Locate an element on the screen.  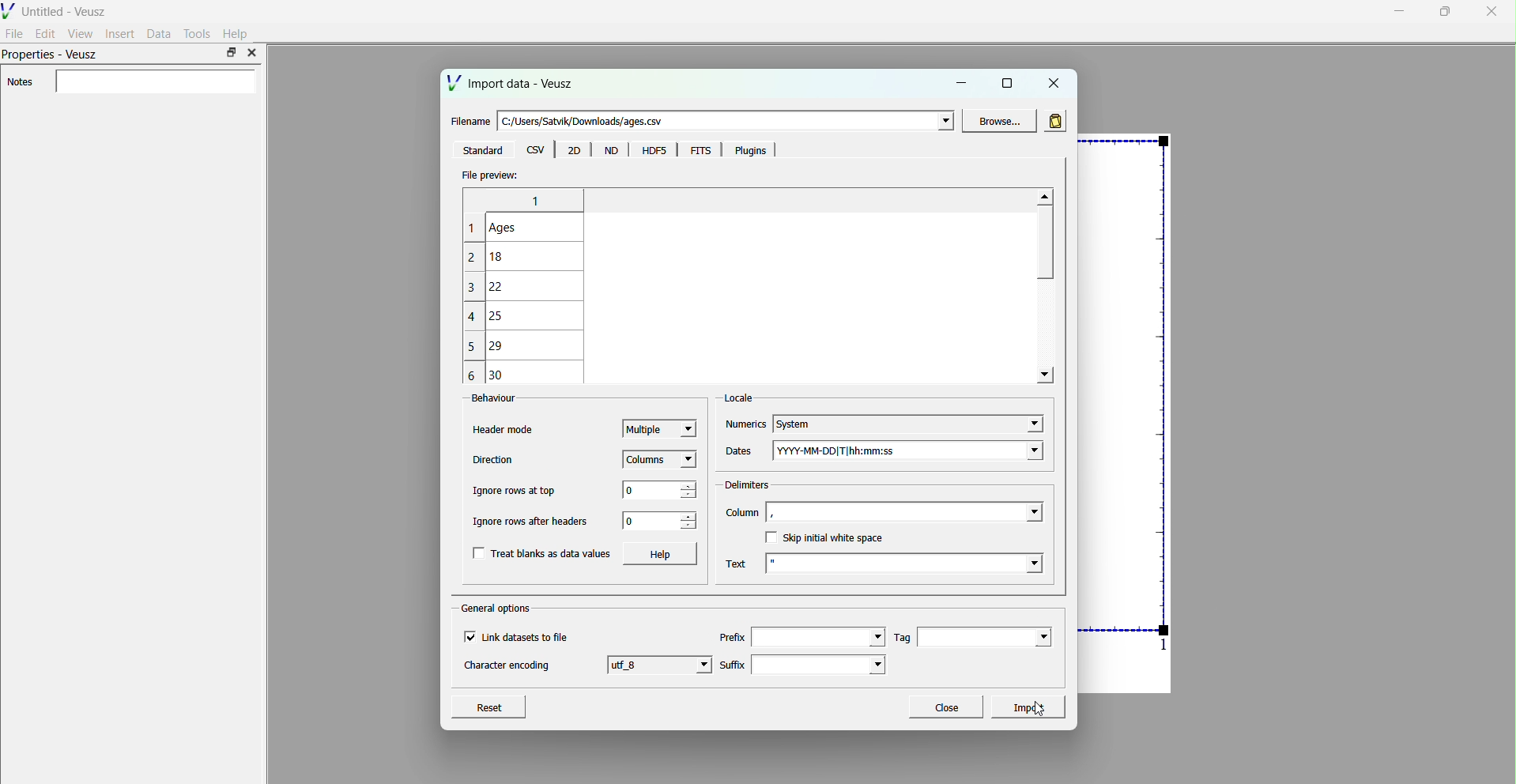
Treat blanks as data values is located at coordinates (552, 554).